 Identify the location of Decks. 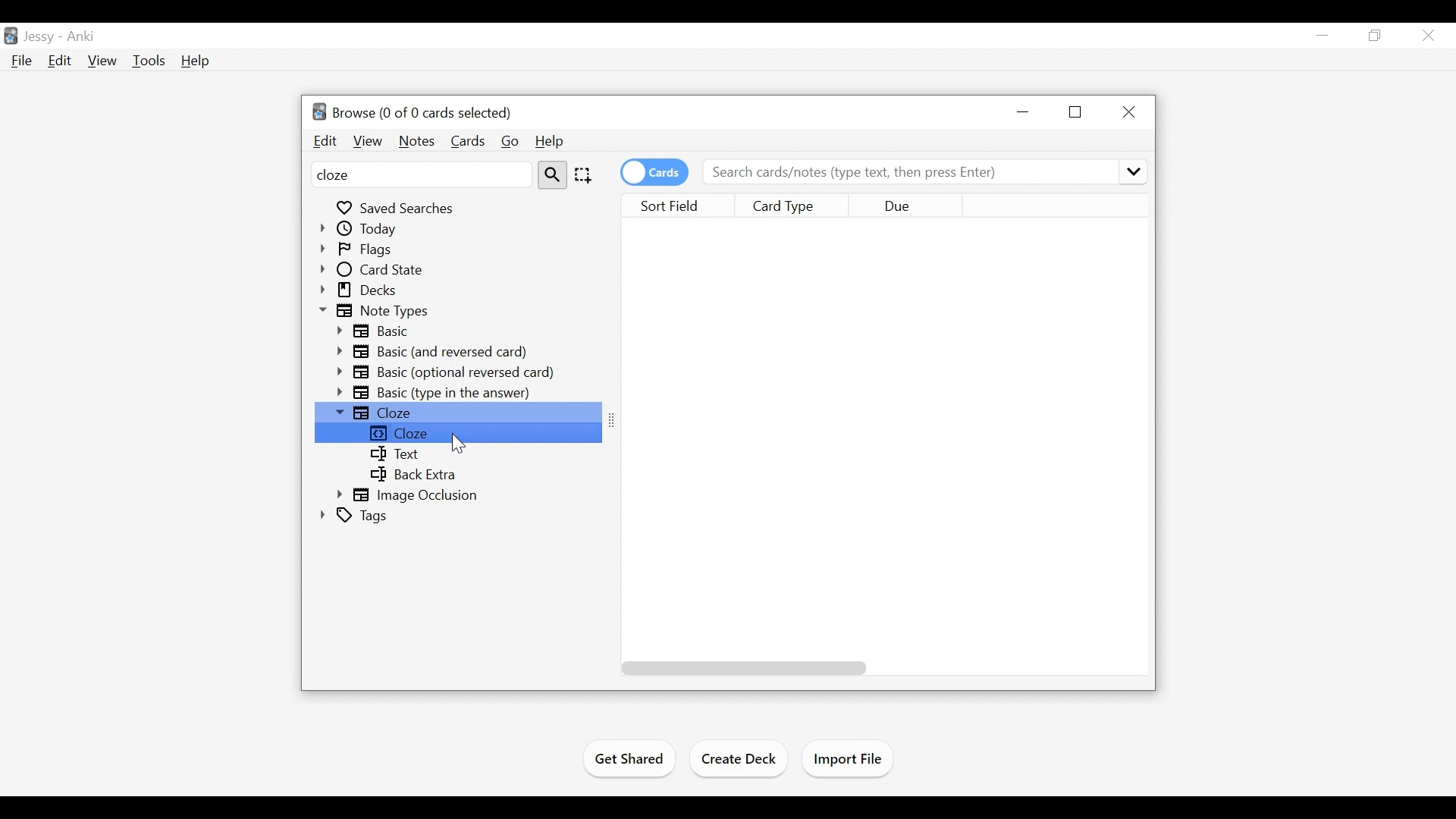
(361, 290).